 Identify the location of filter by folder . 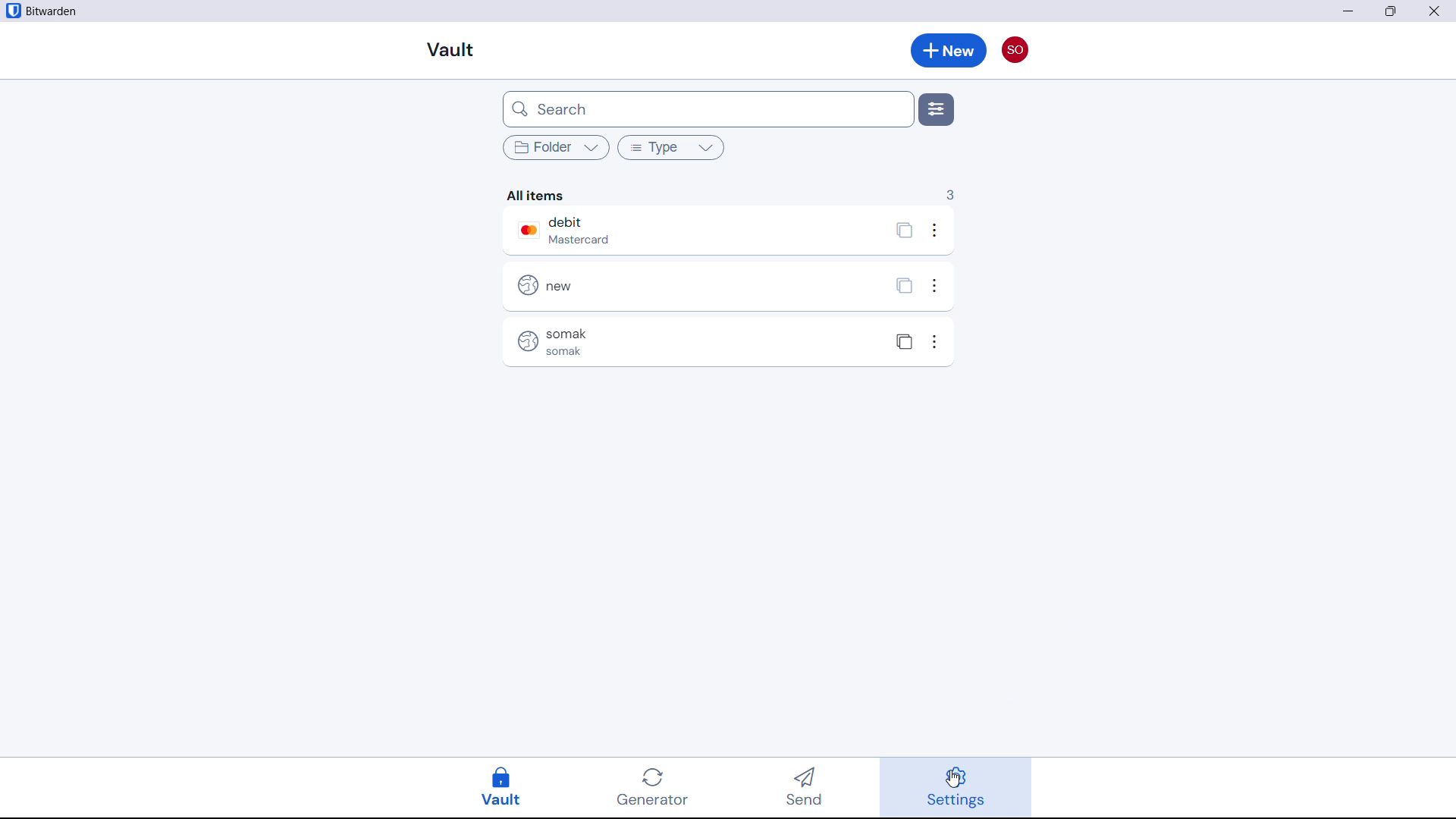
(554, 147).